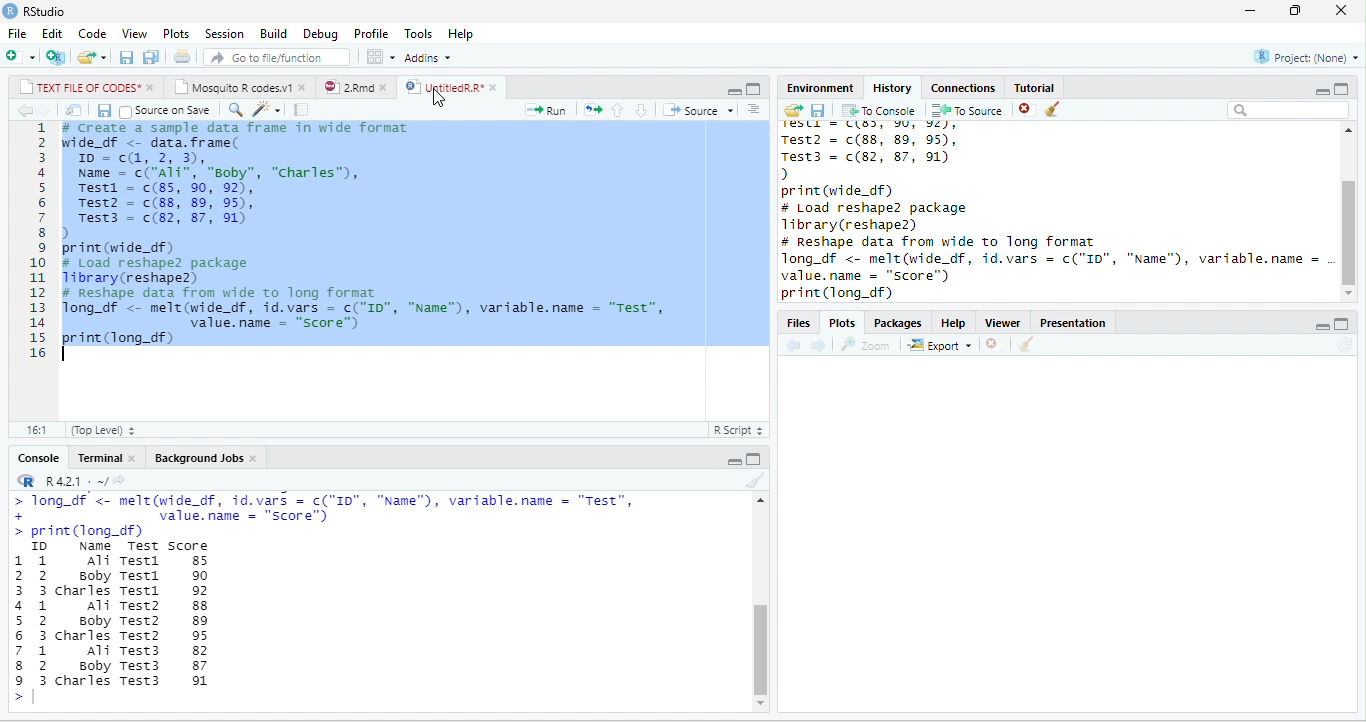  What do you see at coordinates (618, 110) in the screenshot?
I see `up` at bounding box center [618, 110].